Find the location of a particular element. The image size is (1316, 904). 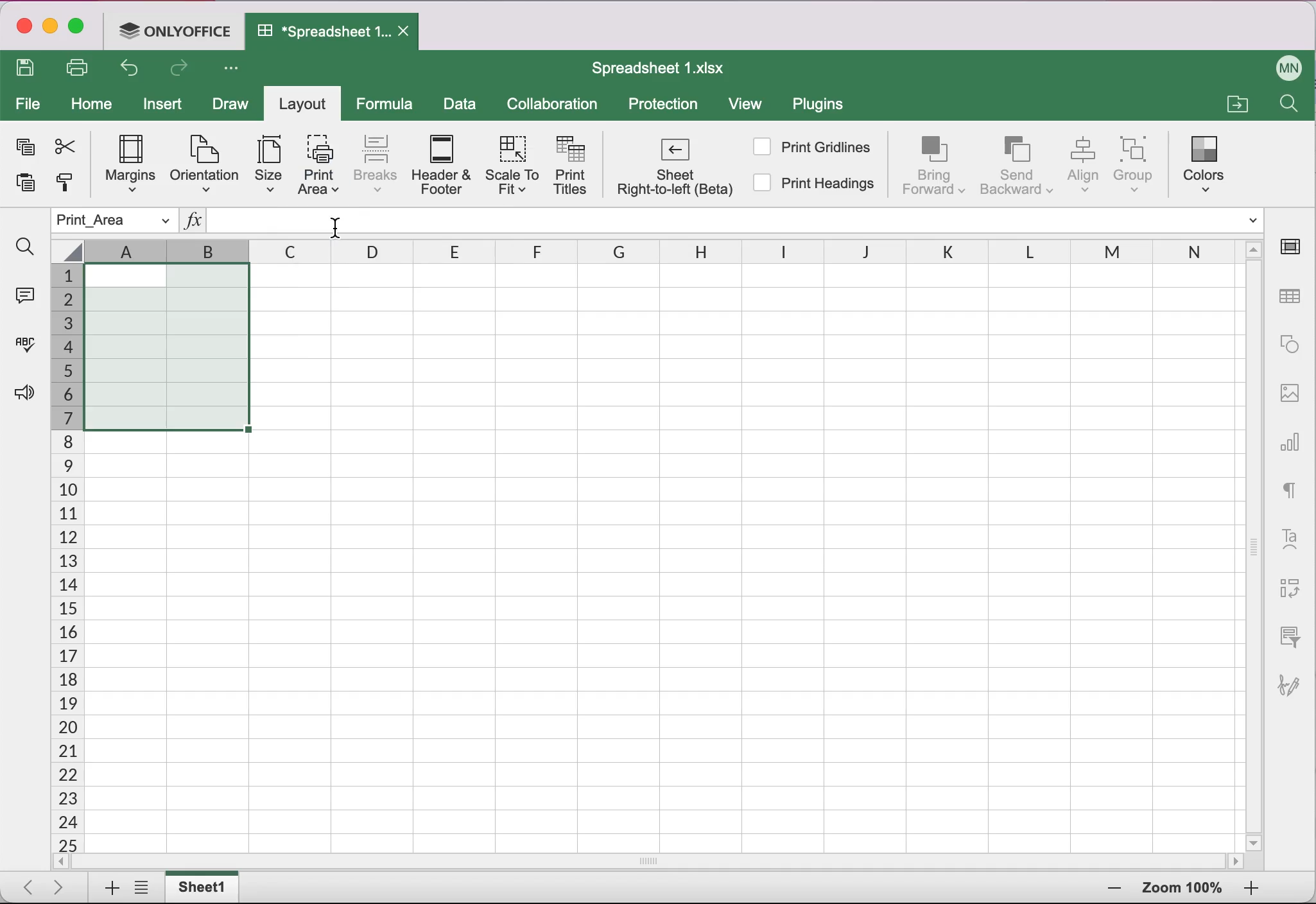

pivot table is located at coordinates (1287, 589).